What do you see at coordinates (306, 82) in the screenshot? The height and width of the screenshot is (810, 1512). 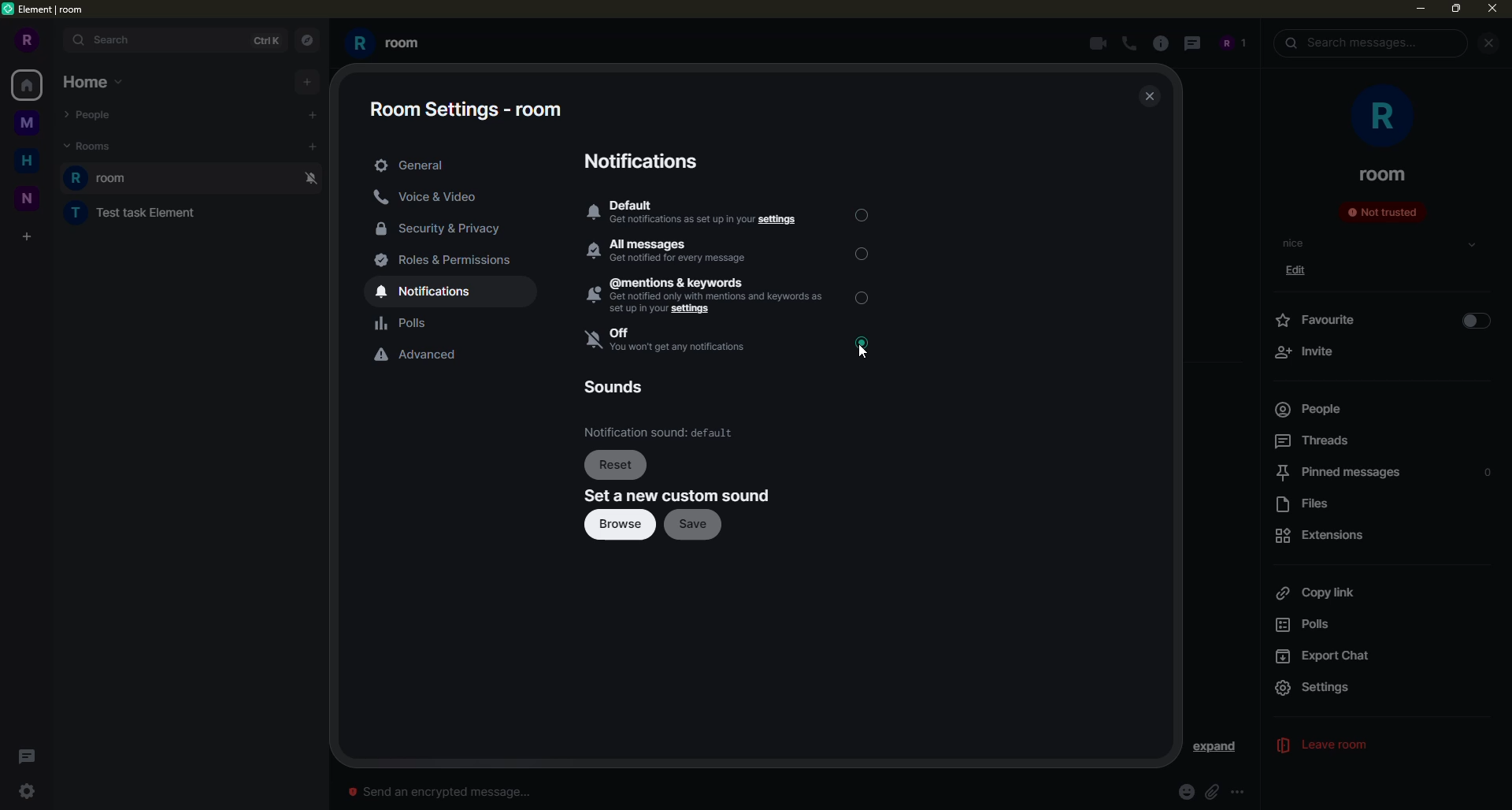 I see `add` at bounding box center [306, 82].